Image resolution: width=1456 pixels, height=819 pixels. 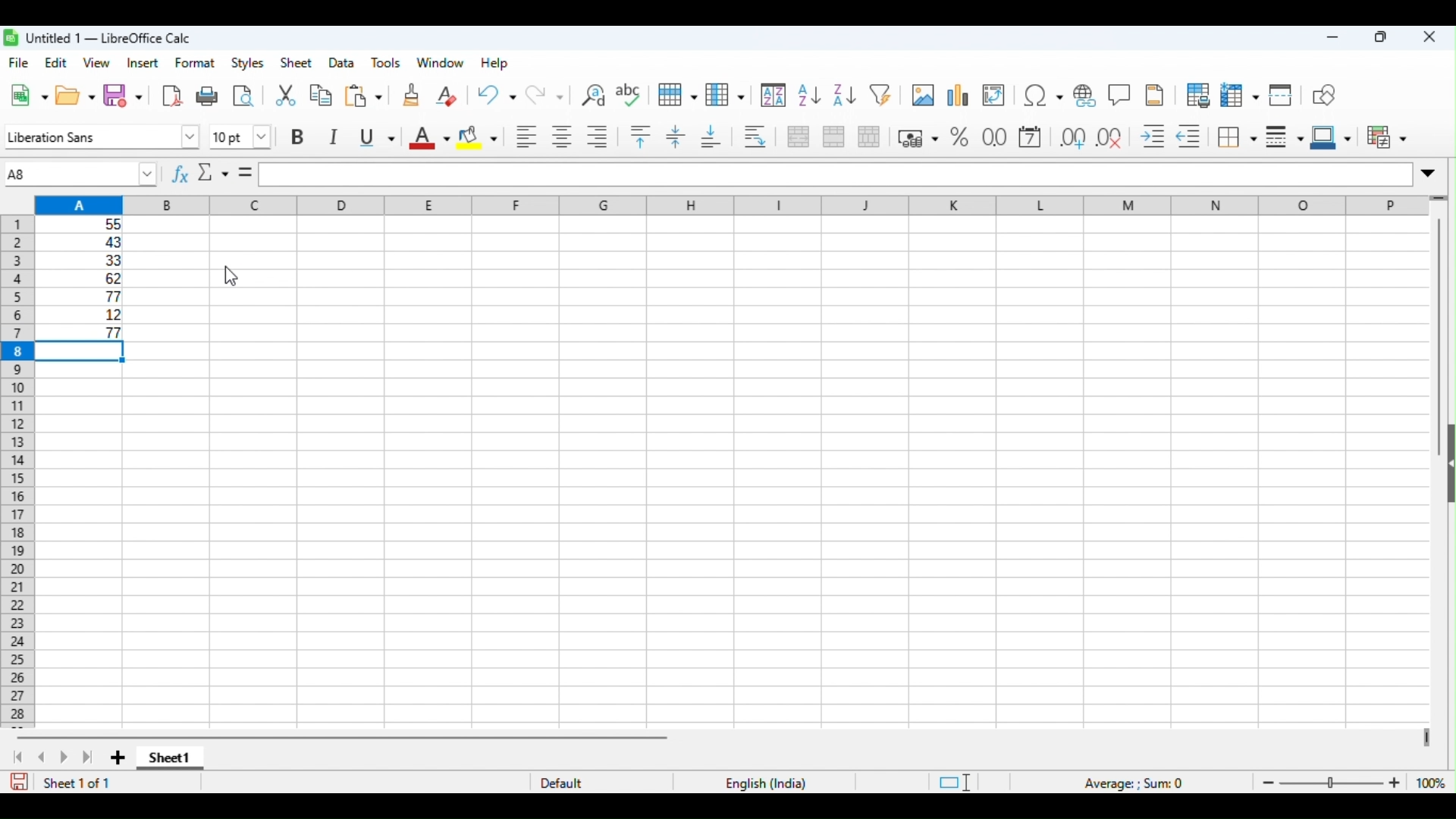 What do you see at coordinates (249, 63) in the screenshot?
I see `style` at bounding box center [249, 63].